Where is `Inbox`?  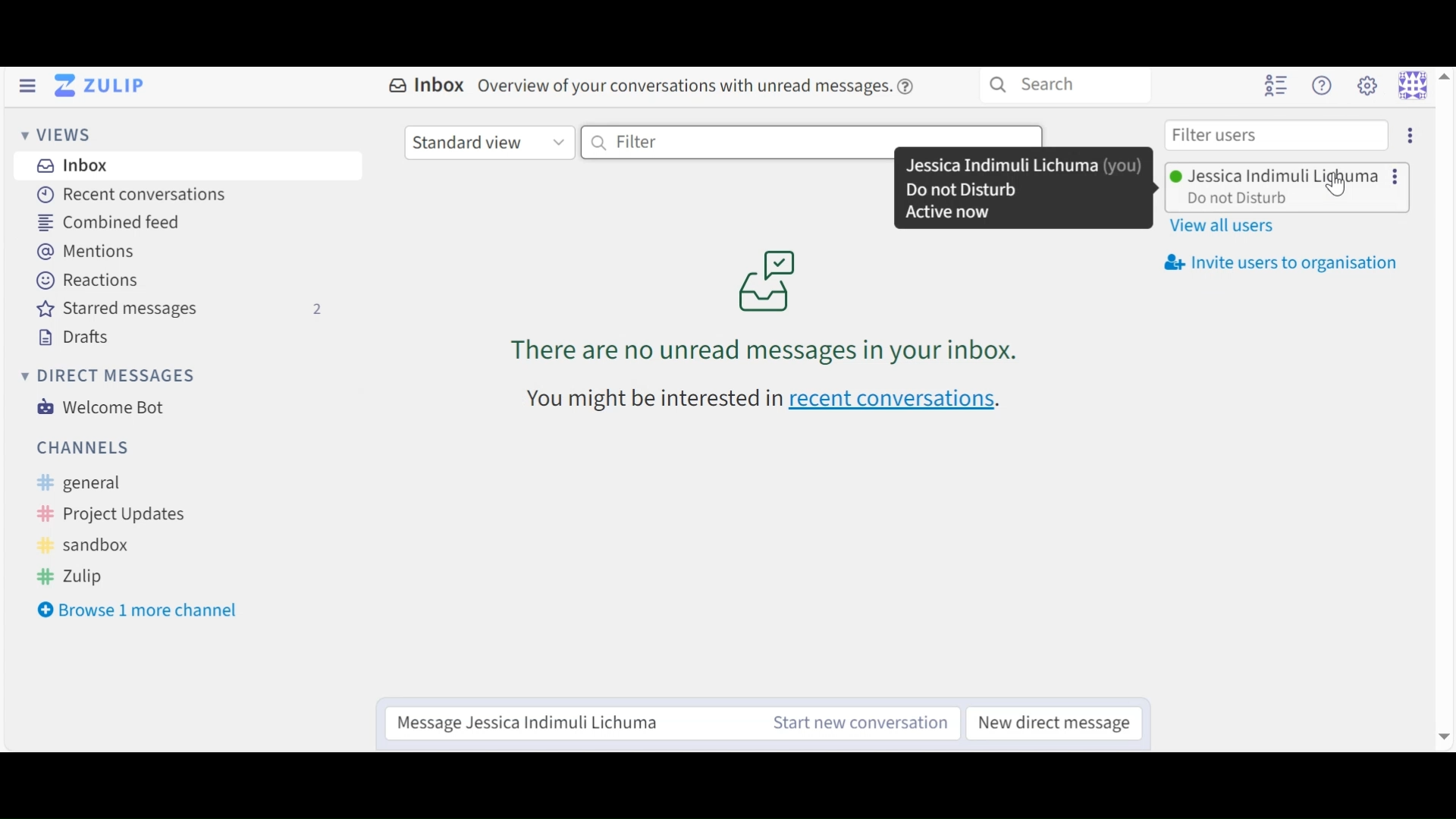 Inbox is located at coordinates (70, 165).